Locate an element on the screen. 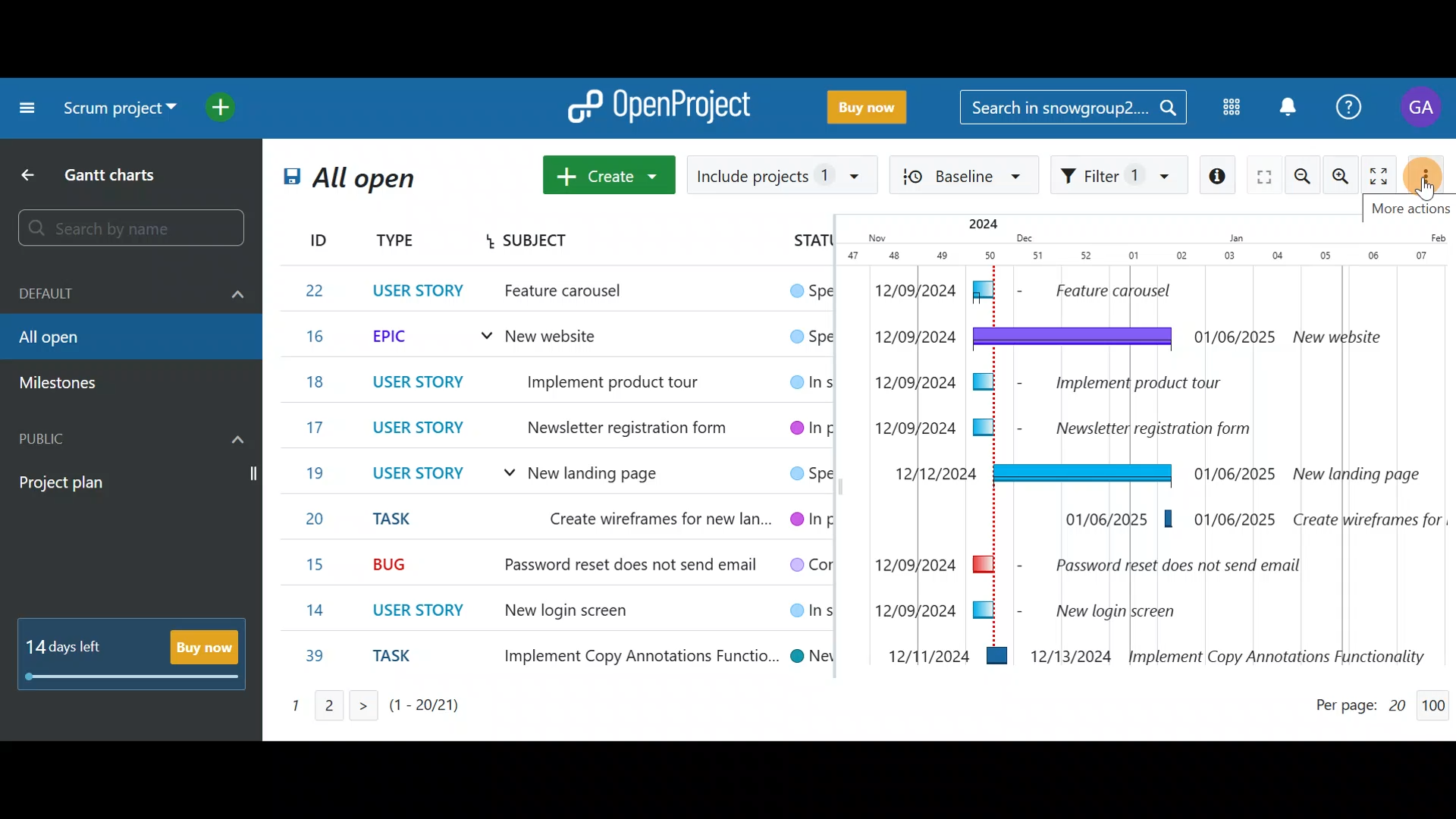 The width and height of the screenshot is (1456, 819). All open is located at coordinates (376, 183).